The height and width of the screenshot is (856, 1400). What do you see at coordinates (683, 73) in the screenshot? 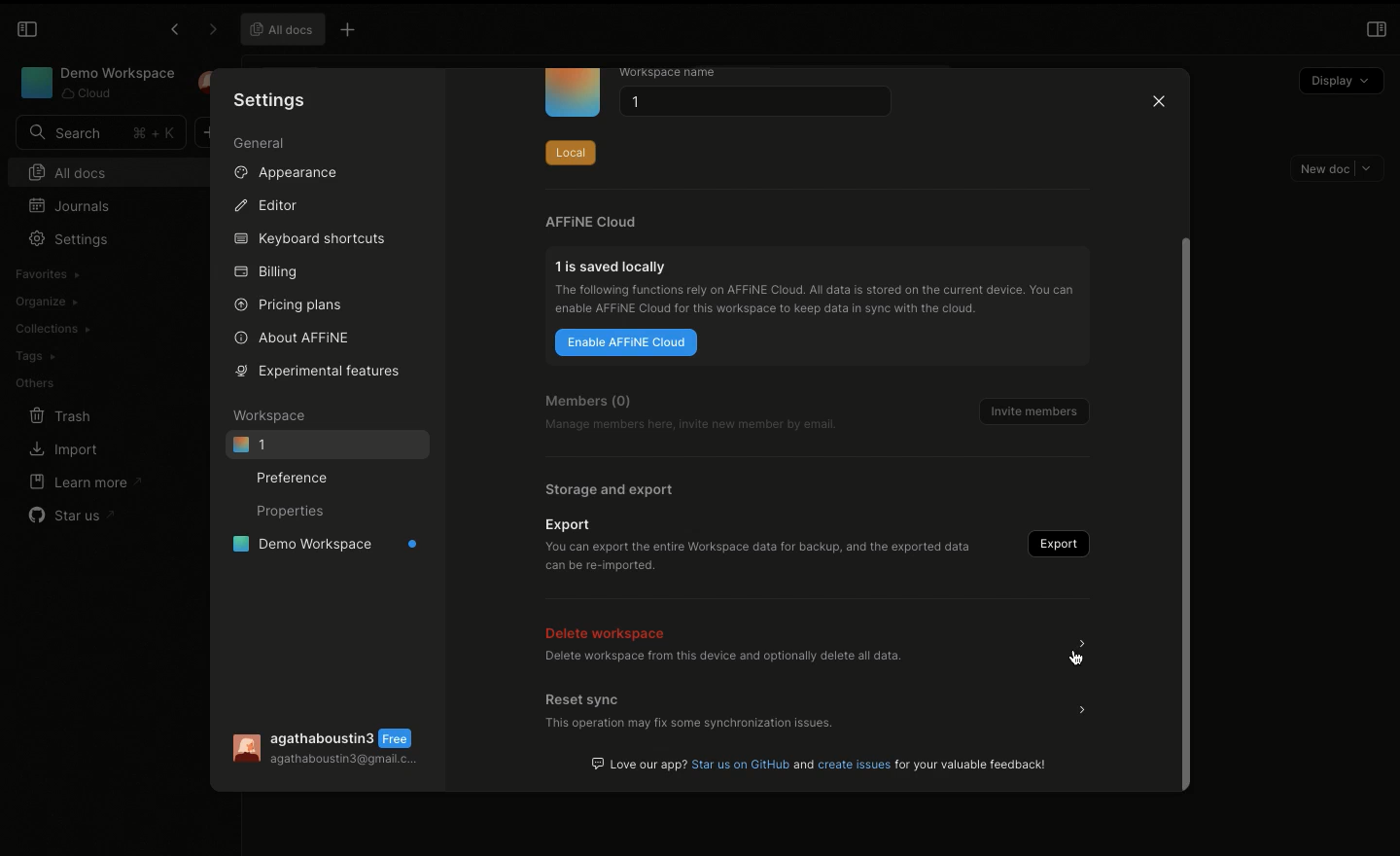
I see `Workspace name` at bounding box center [683, 73].